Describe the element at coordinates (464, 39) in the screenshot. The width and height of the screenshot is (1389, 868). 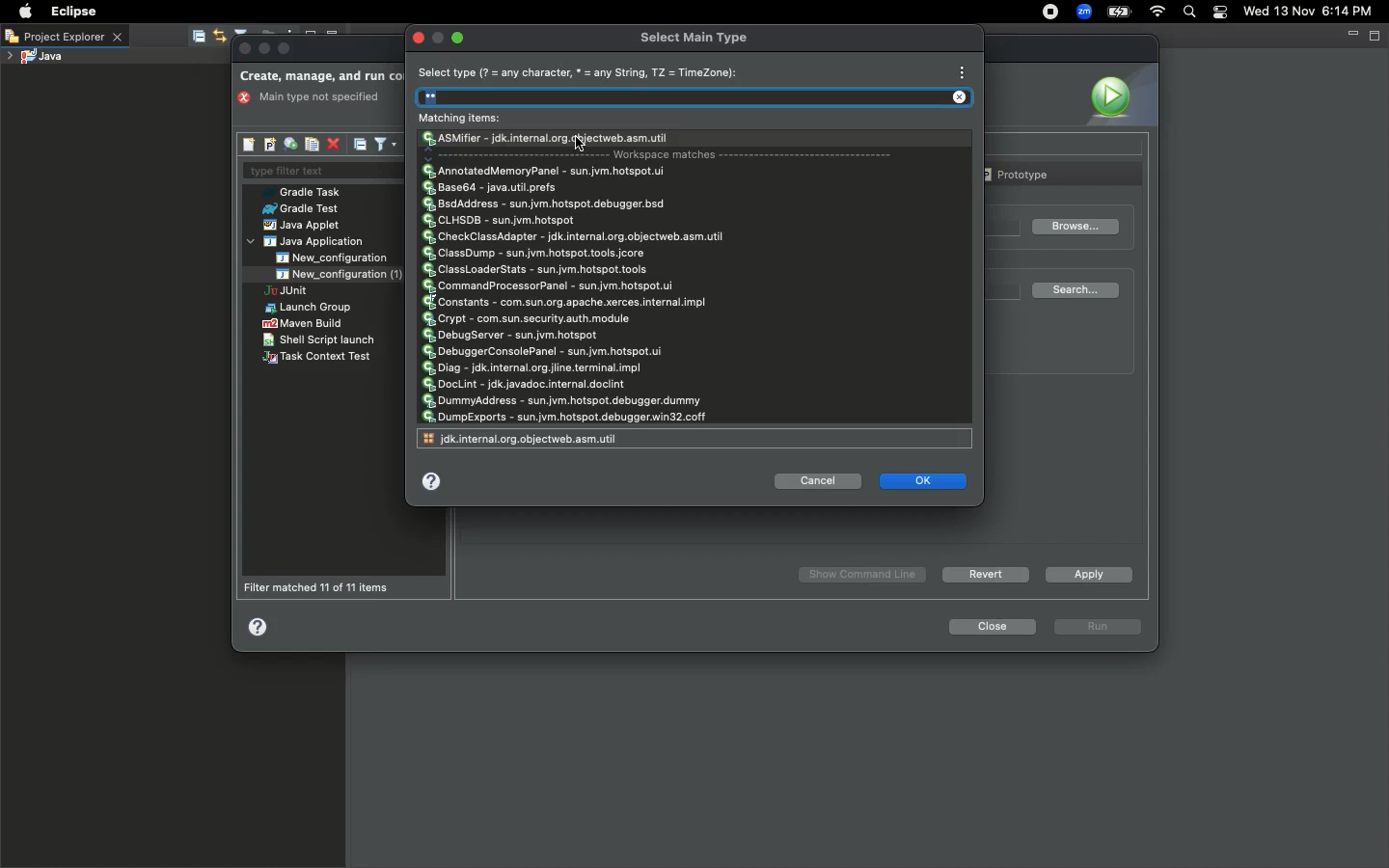
I see `maximize` at that location.